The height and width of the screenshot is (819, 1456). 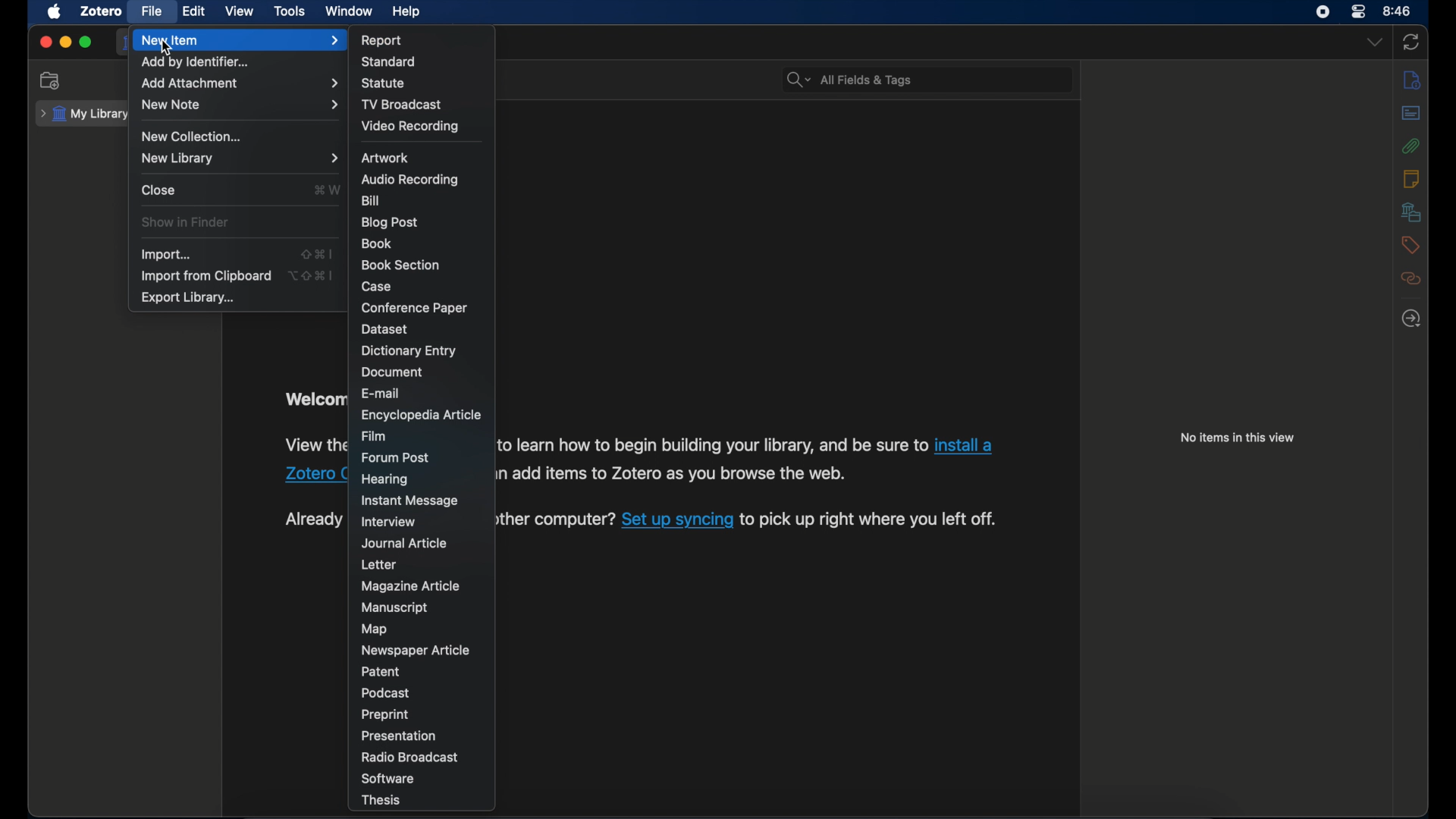 What do you see at coordinates (416, 650) in the screenshot?
I see `newspaper article` at bounding box center [416, 650].